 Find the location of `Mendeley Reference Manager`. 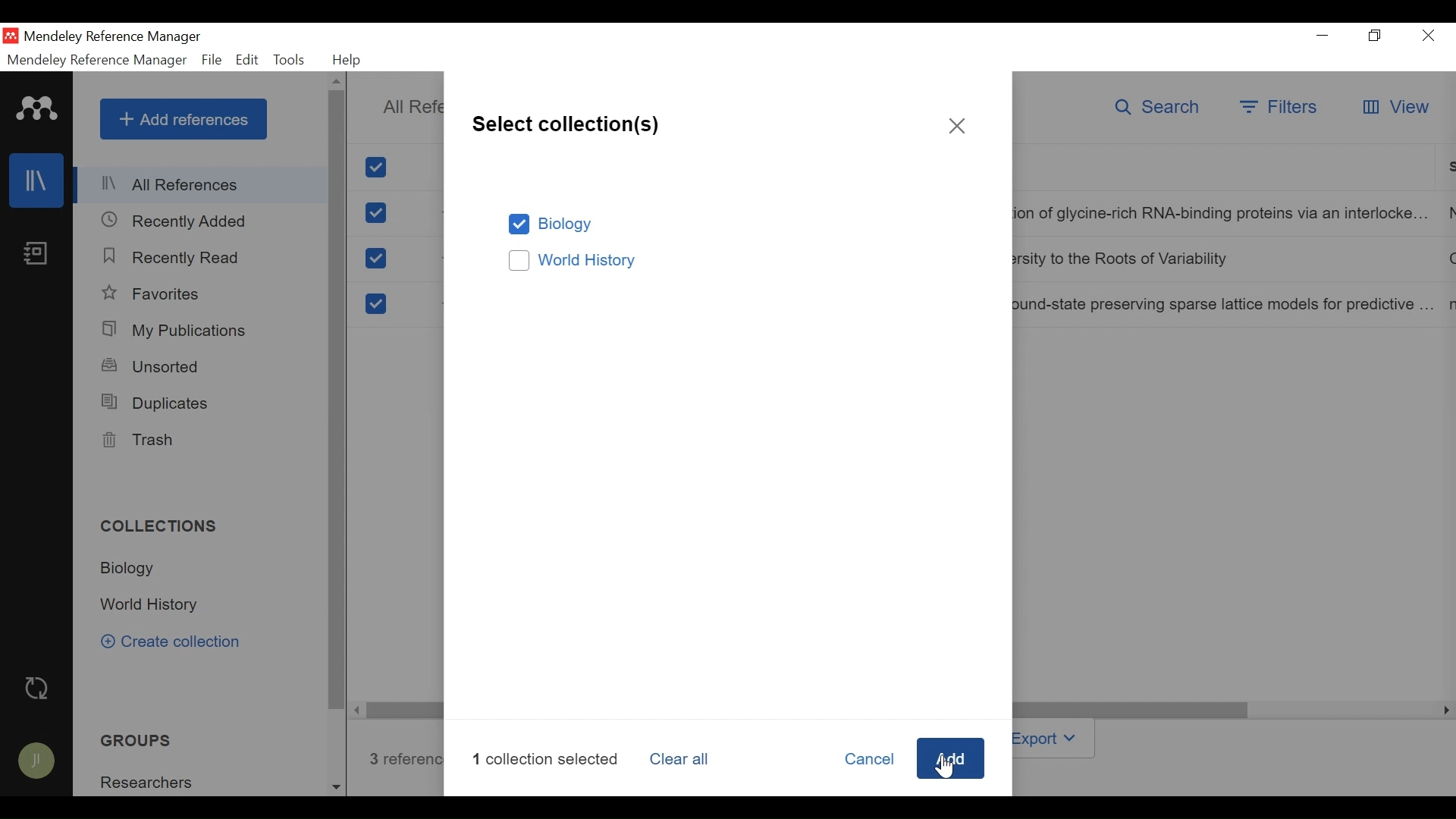

Mendeley Reference Manager is located at coordinates (95, 60).